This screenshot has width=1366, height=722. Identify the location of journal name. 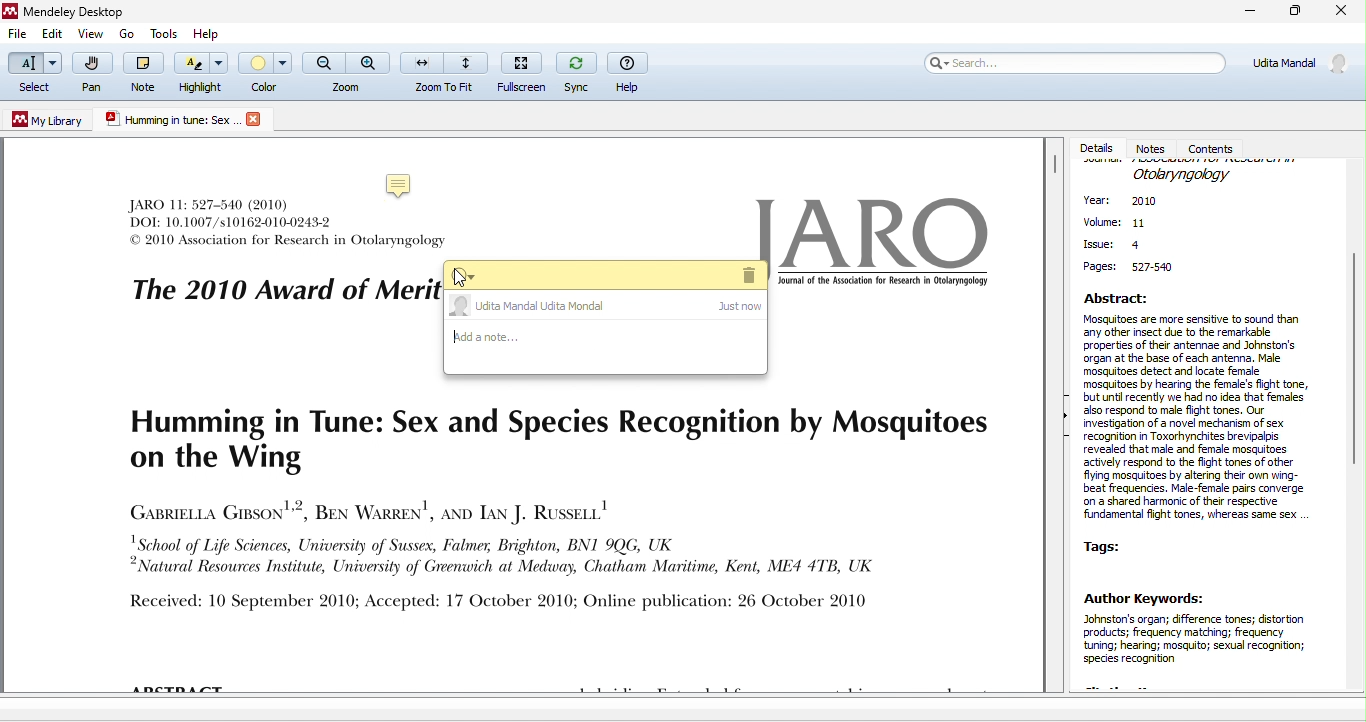
(1182, 174).